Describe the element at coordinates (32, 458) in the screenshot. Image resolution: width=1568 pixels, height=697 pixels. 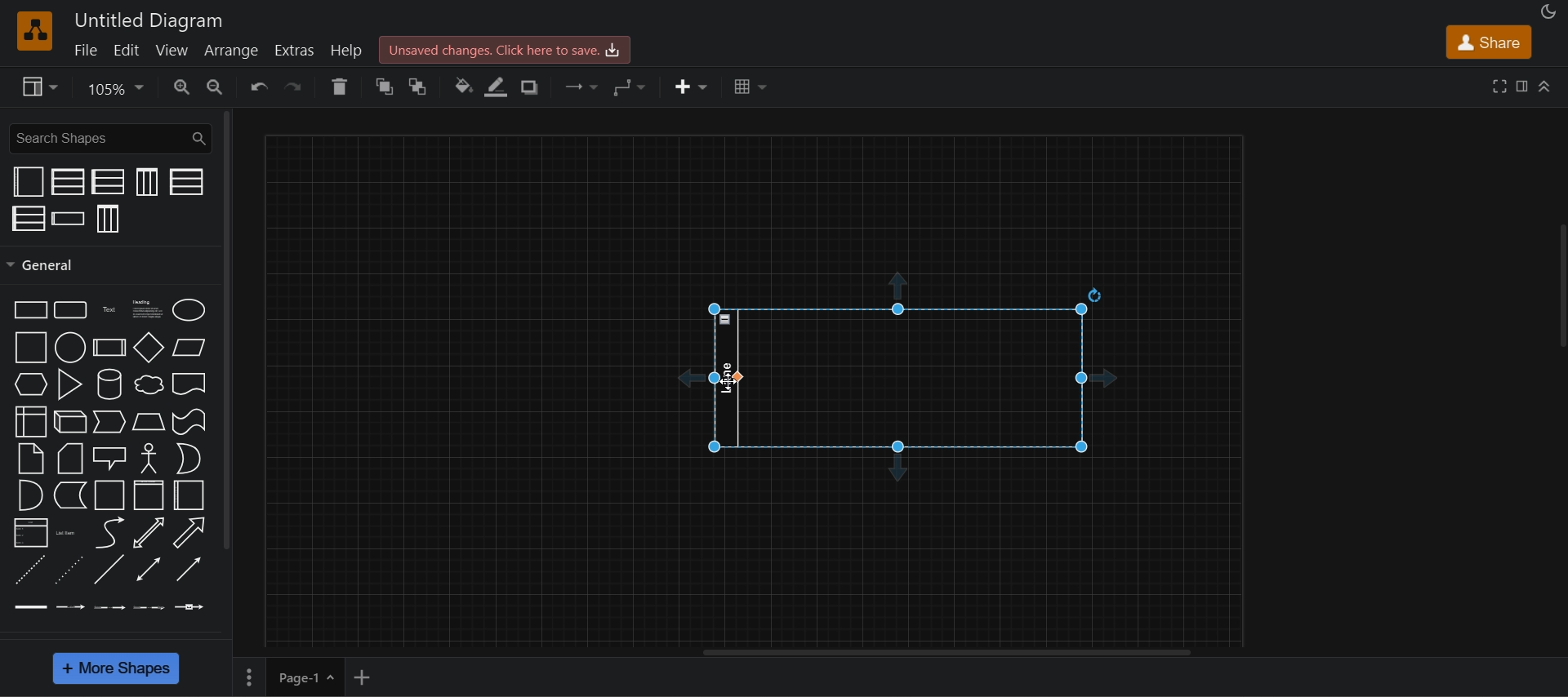
I see `note` at that location.